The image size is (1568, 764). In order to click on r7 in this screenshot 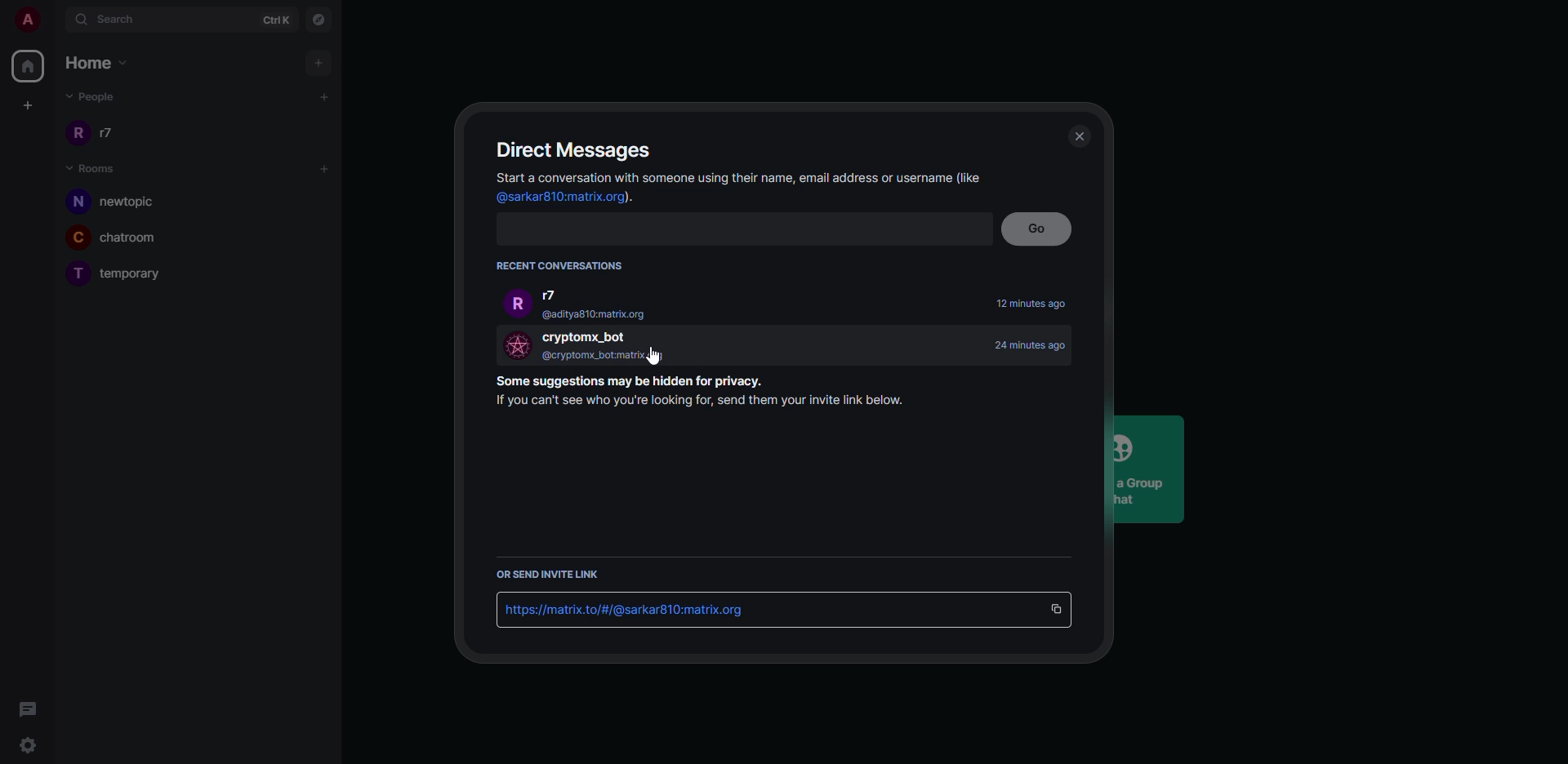, I will do `click(554, 295)`.